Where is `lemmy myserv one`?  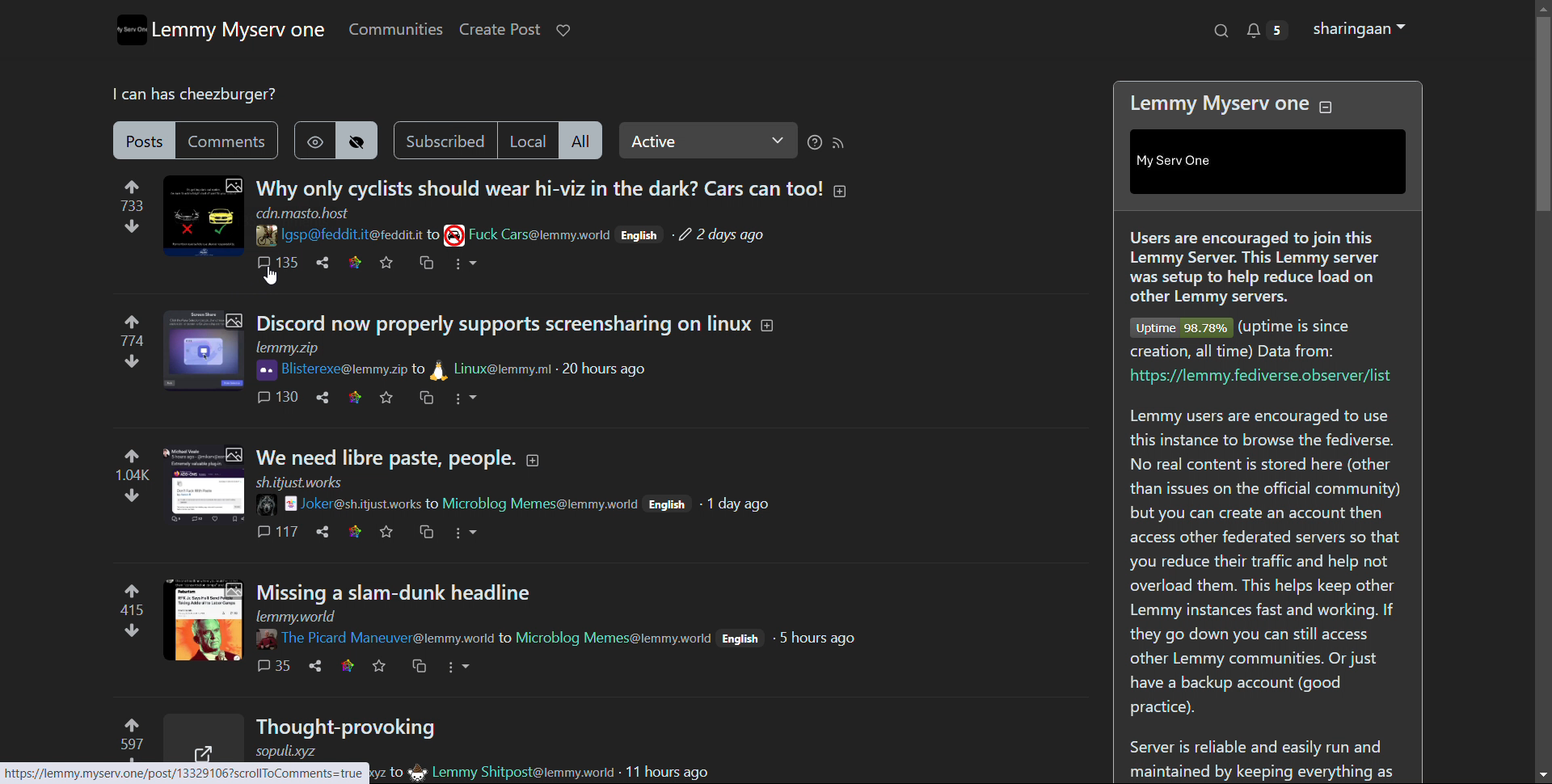 lemmy myserv one is located at coordinates (238, 32).